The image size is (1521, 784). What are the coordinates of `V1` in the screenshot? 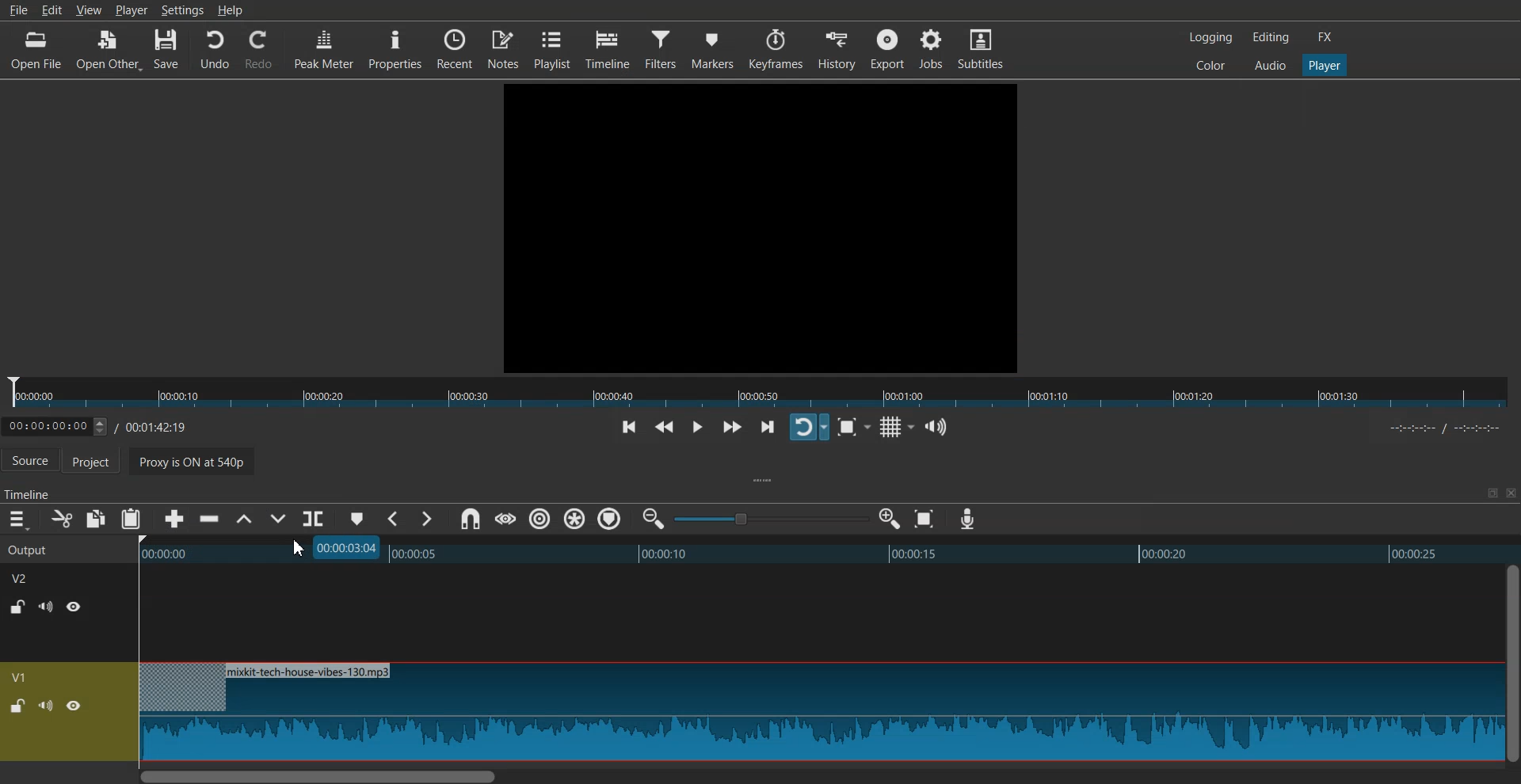 It's located at (21, 677).